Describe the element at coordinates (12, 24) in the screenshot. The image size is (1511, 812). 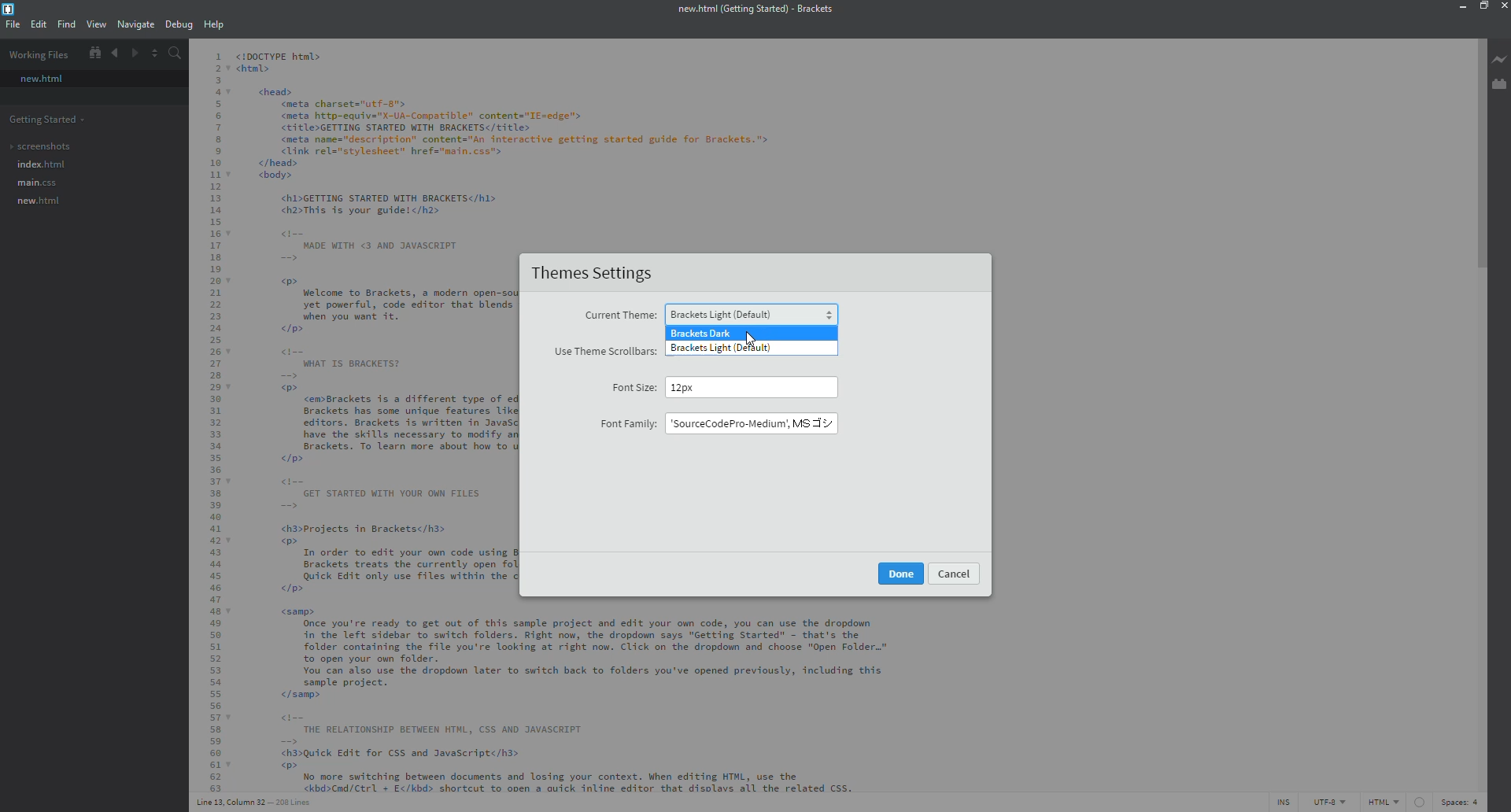
I see `file` at that location.